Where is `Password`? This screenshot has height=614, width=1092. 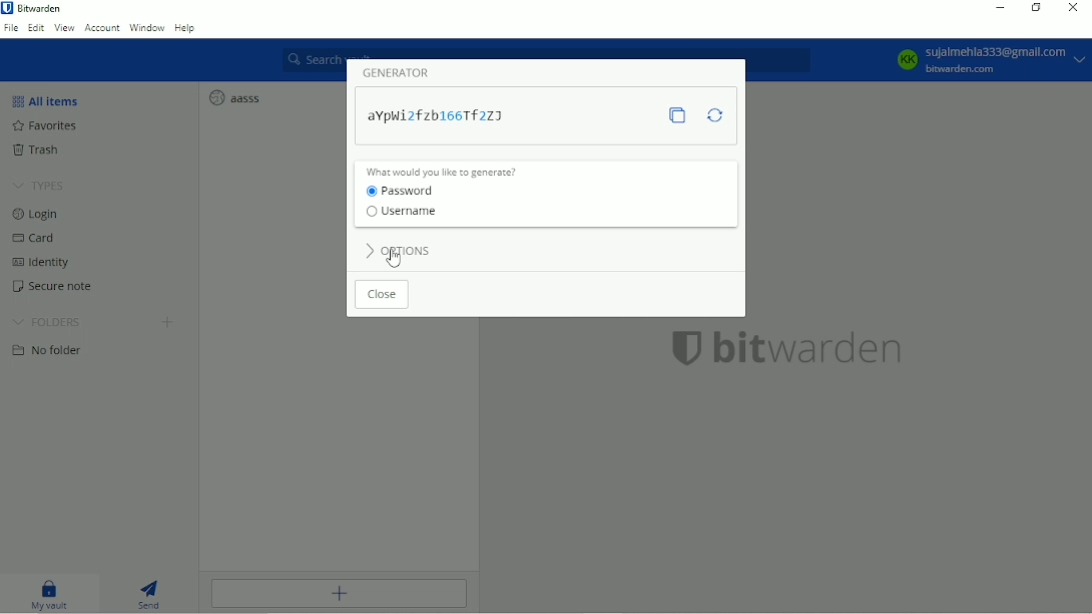 Password is located at coordinates (437, 116).